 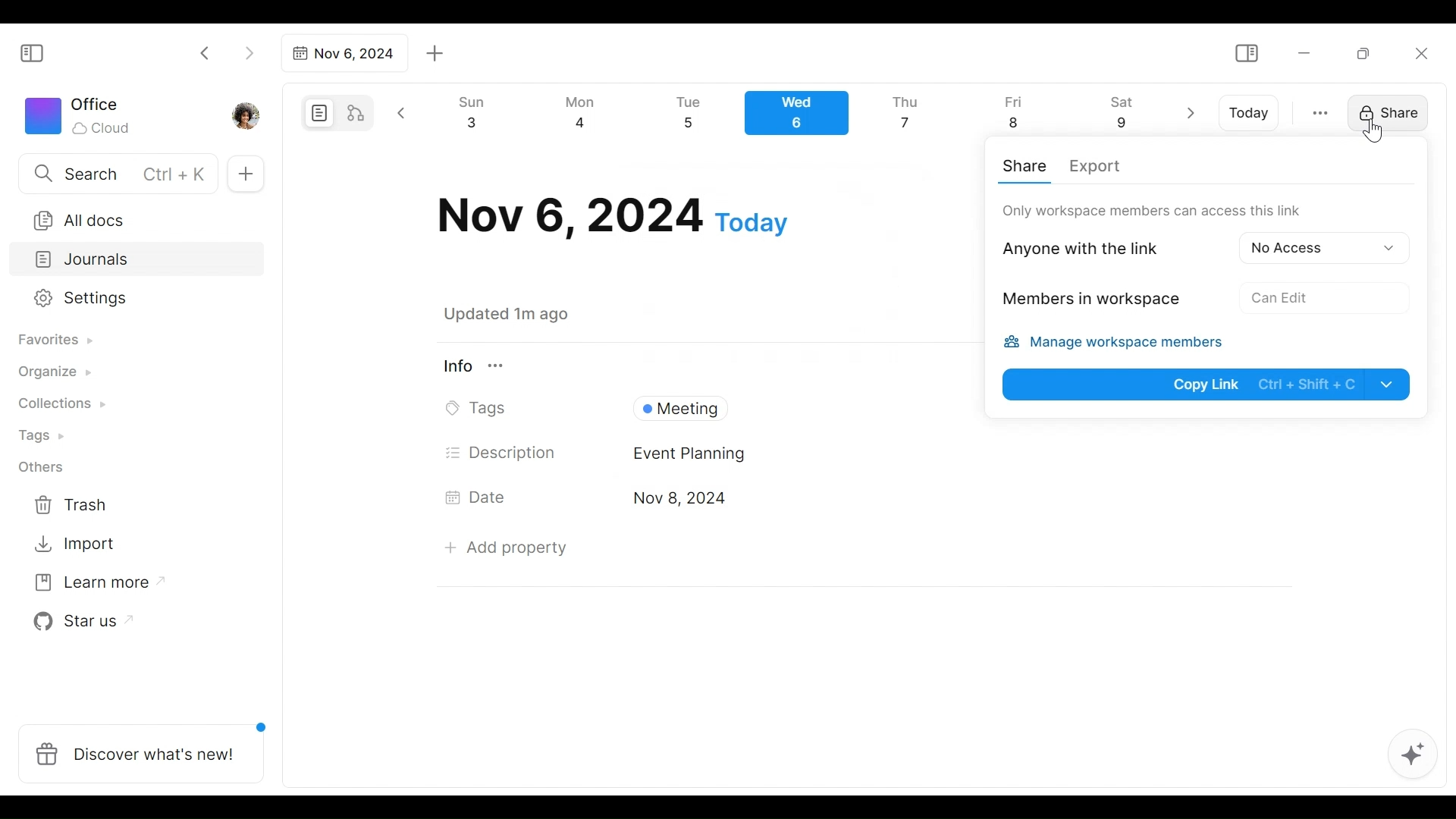 What do you see at coordinates (1384, 111) in the screenshot?
I see `Share` at bounding box center [1384, 111].